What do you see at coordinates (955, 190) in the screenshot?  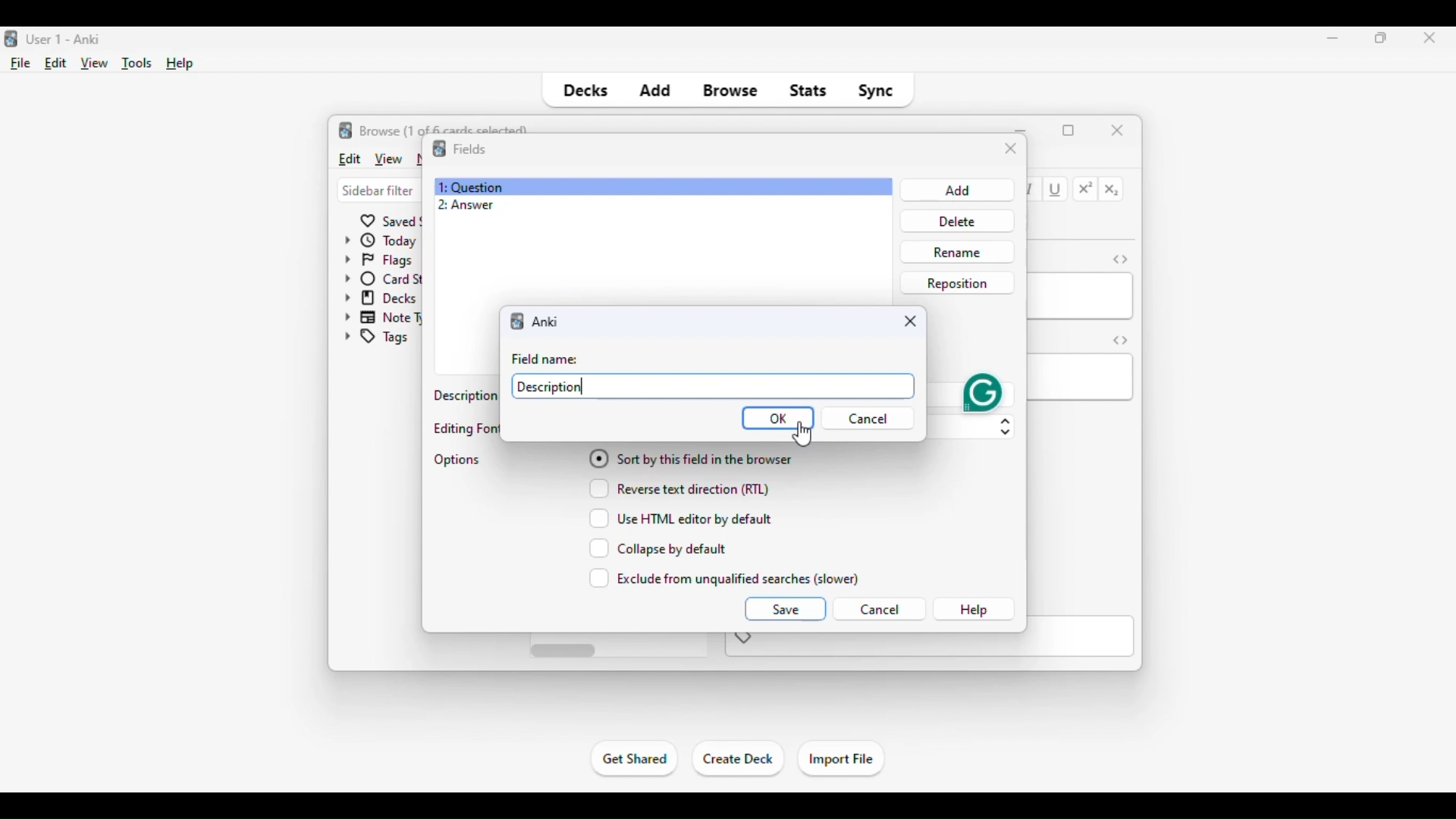 I see `add` at bounding box center [955, 190].